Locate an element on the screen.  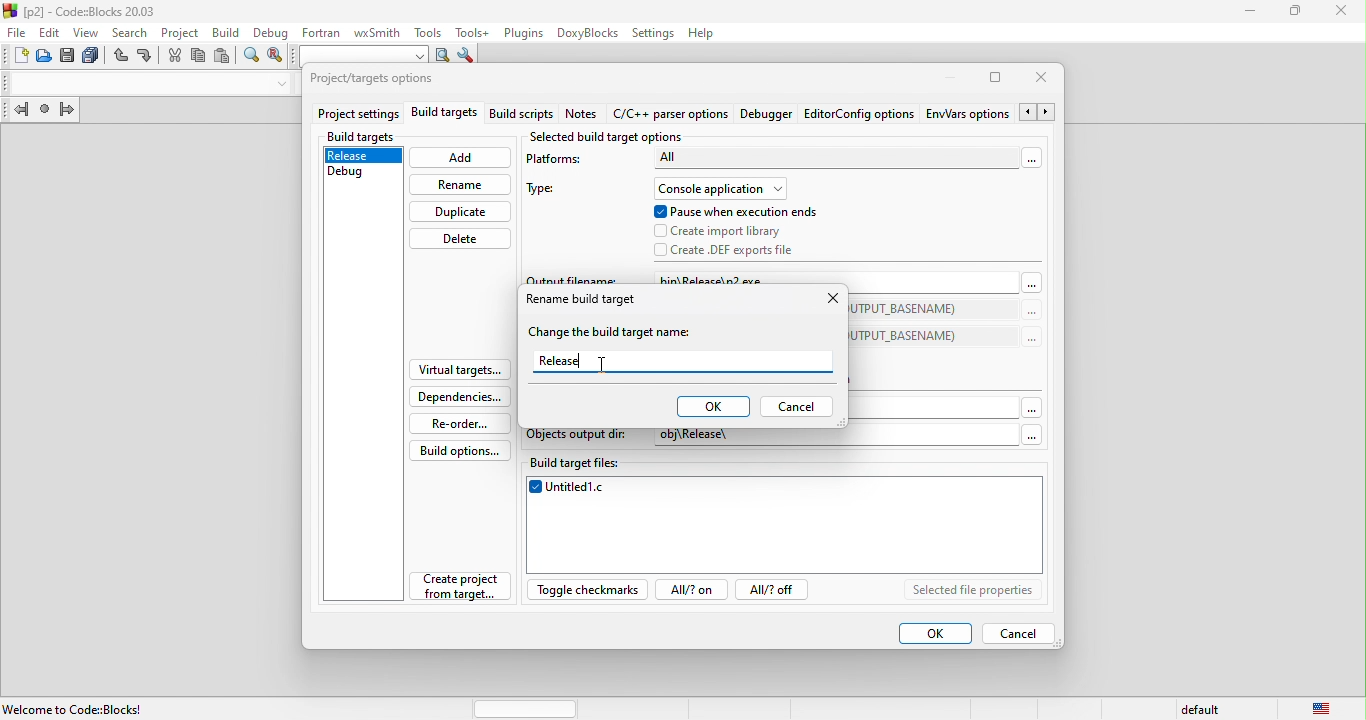
all?off is located at coordinates (776, 591).